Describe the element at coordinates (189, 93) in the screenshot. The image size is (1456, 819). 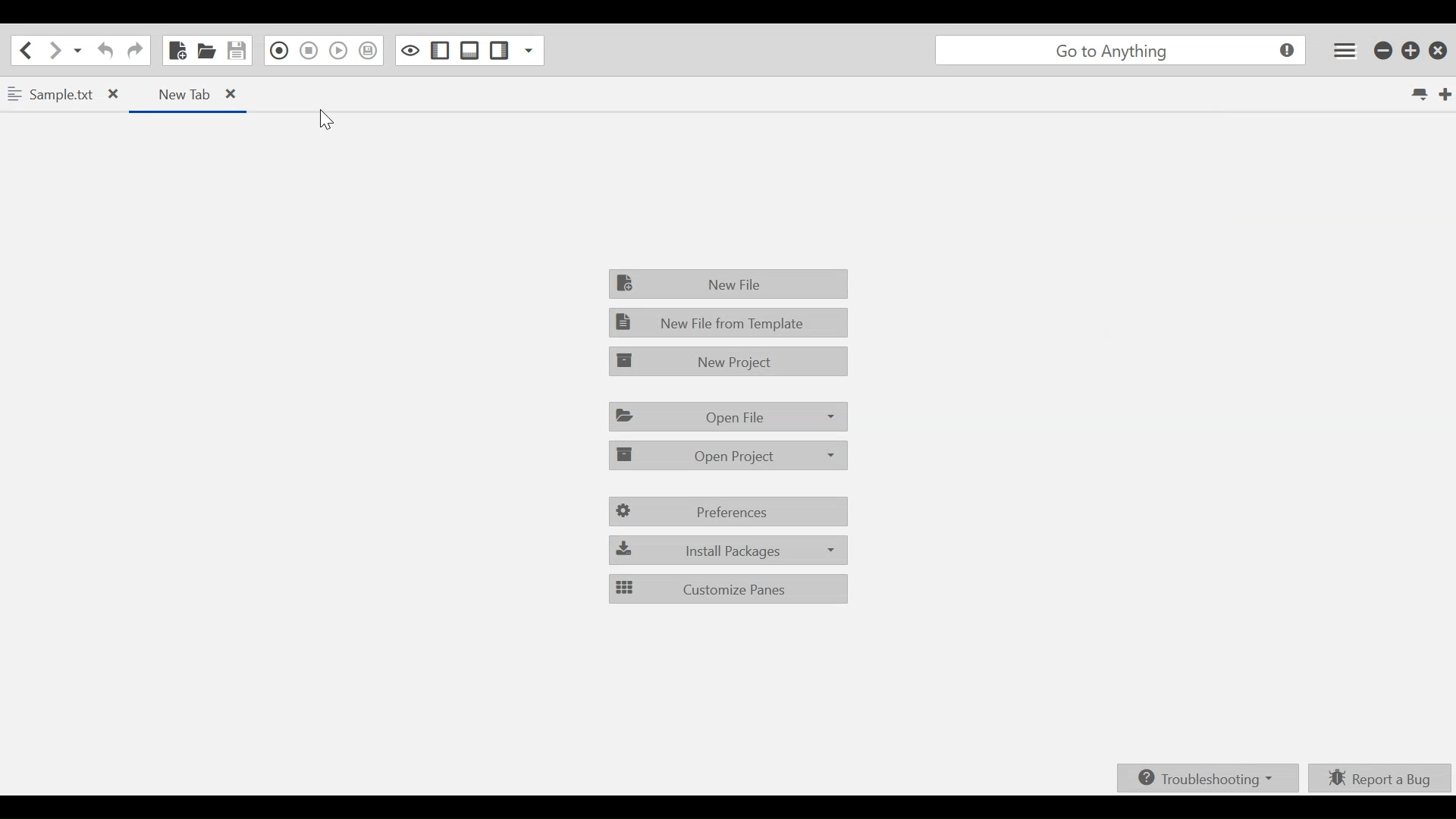
I see `Current tab` at that location.